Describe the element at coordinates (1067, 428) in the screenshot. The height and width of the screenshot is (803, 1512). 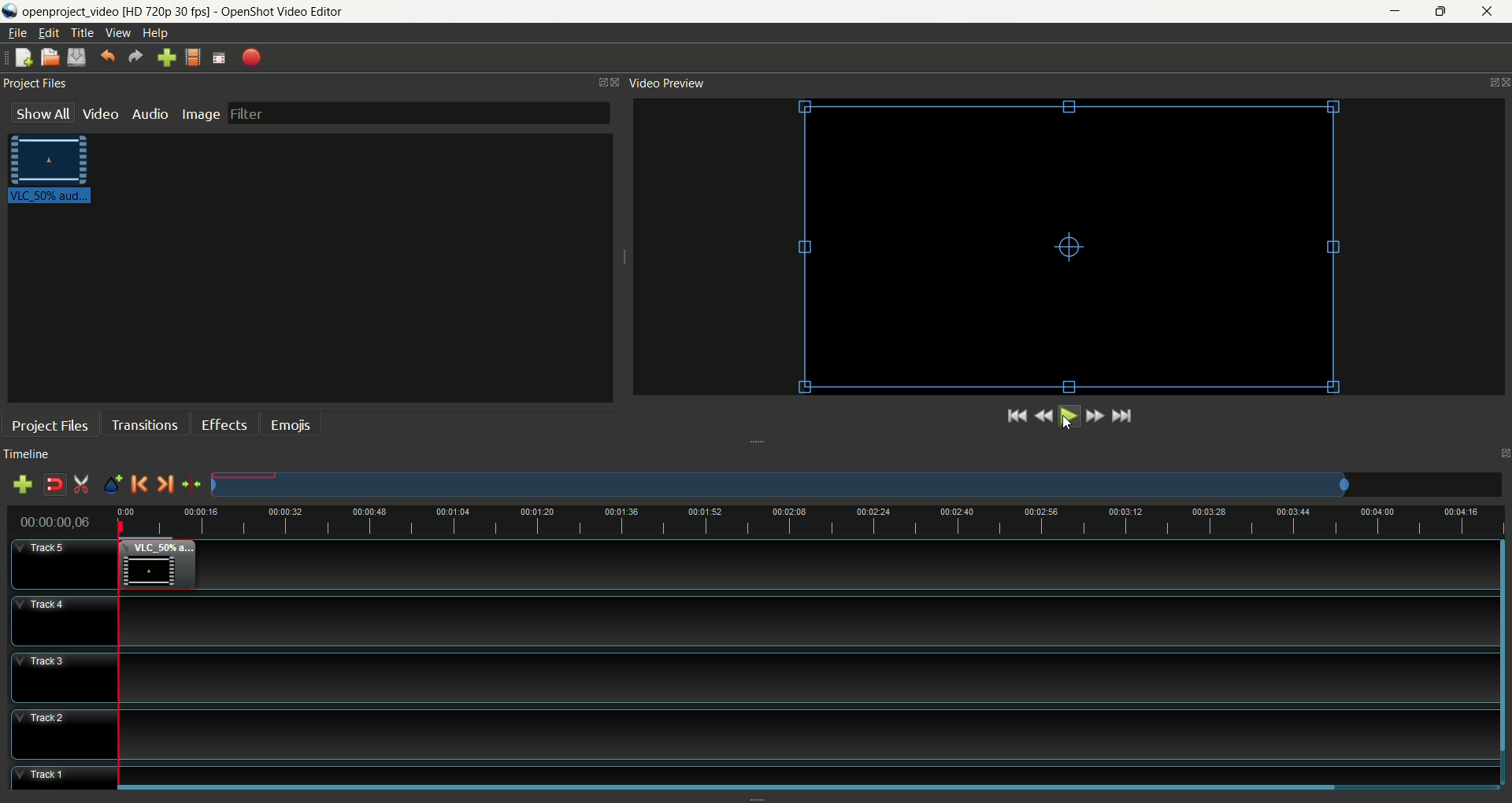
I see `cursor` at that location.